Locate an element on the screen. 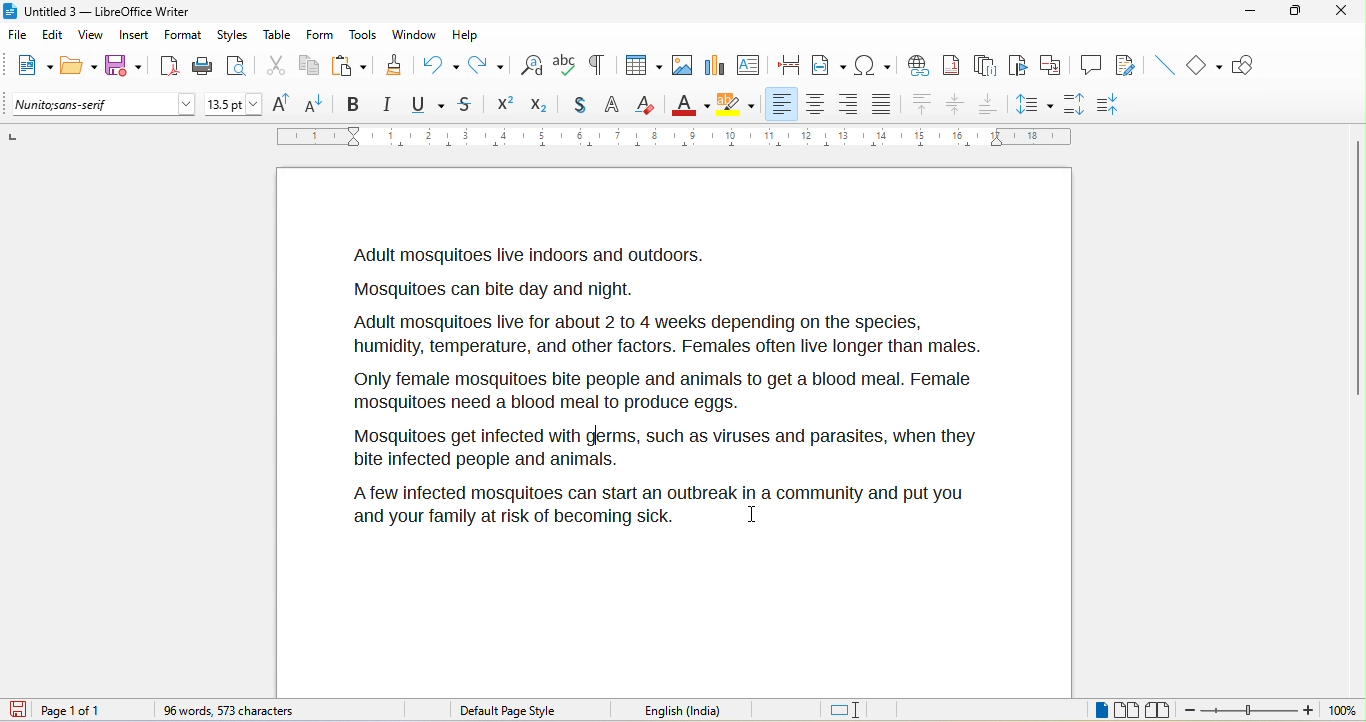  insert line is located at coordinates (1163, 64).